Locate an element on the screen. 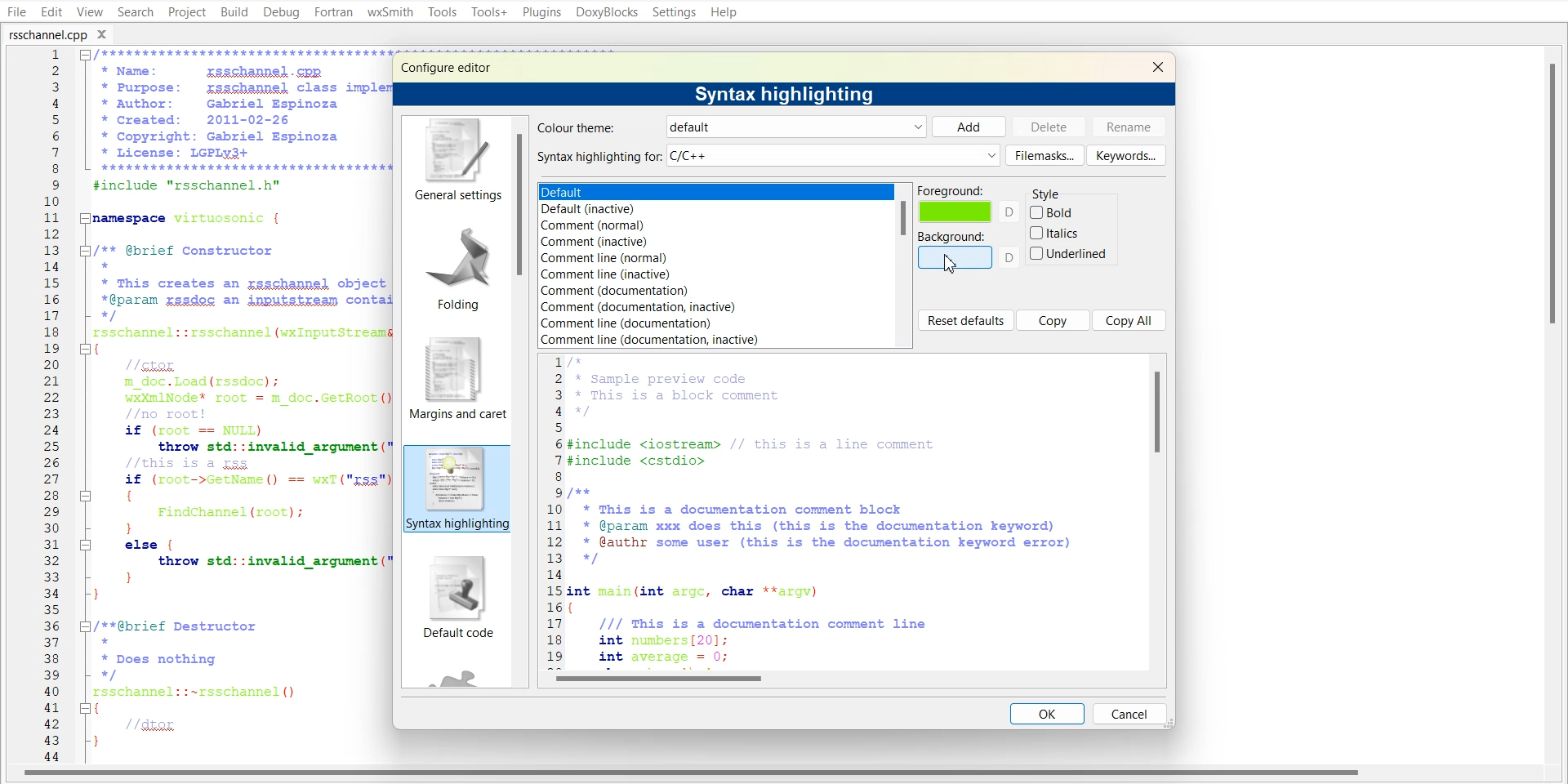 Image resolution: width=1568 pixels, height=784 pixels. Copy all is located at coordinates (1130, 319).